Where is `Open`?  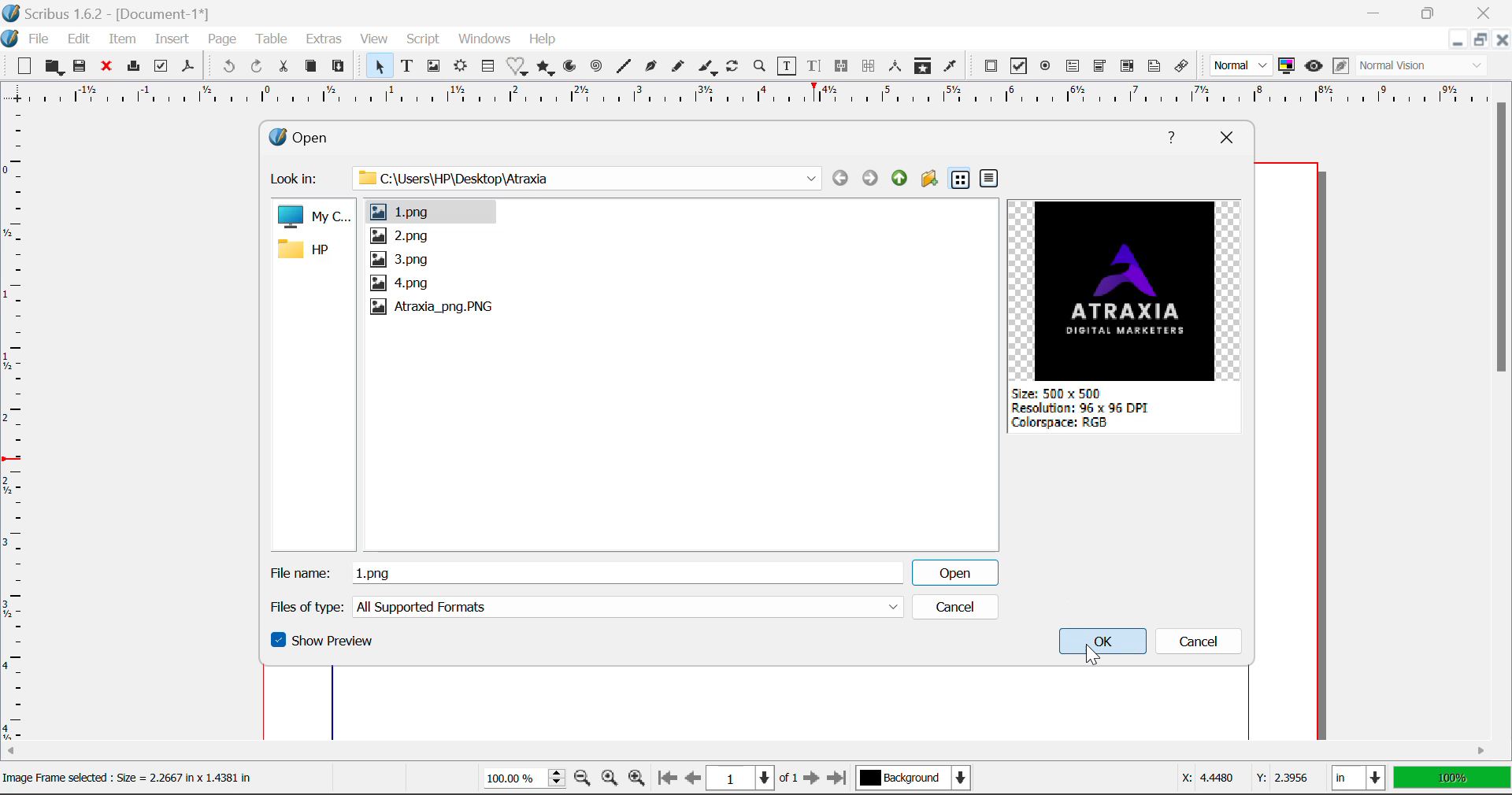 Open is located at coordinates (55, 67).